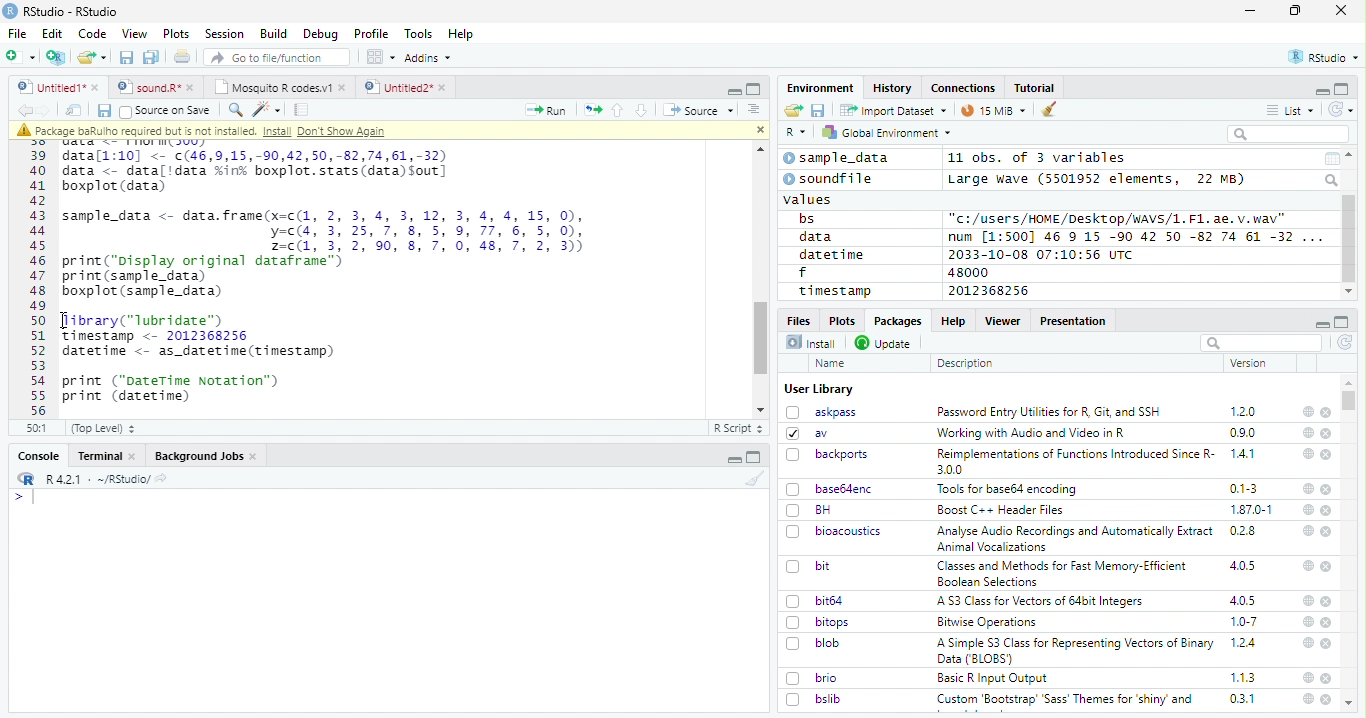 This screenshot has width=1366, height=718. What do you see at coordinates (811, 342) in the screenshot?
I see `Install` at bounding box center [811, 342].